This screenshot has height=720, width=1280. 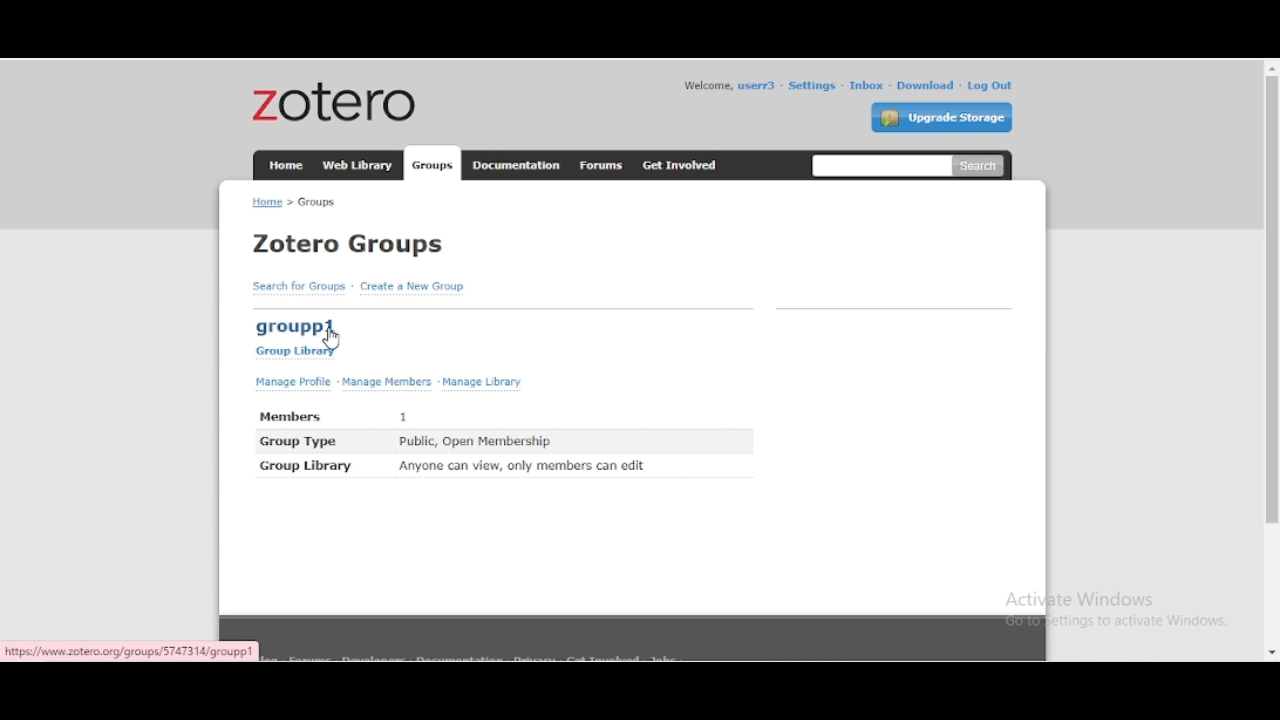 I want to click on groupp1, so click(x=293, y=326).